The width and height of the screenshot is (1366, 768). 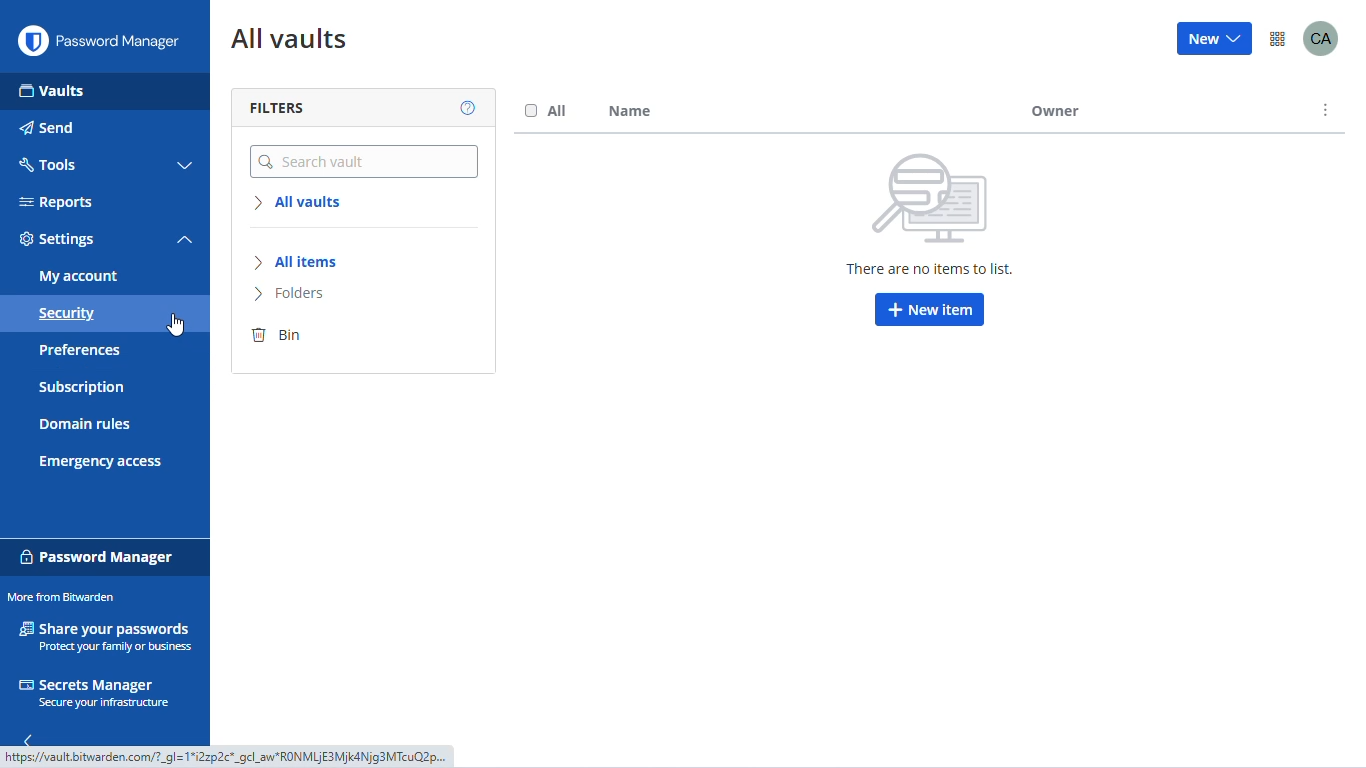 I want to click on search vault, so click(x=365, y=162).